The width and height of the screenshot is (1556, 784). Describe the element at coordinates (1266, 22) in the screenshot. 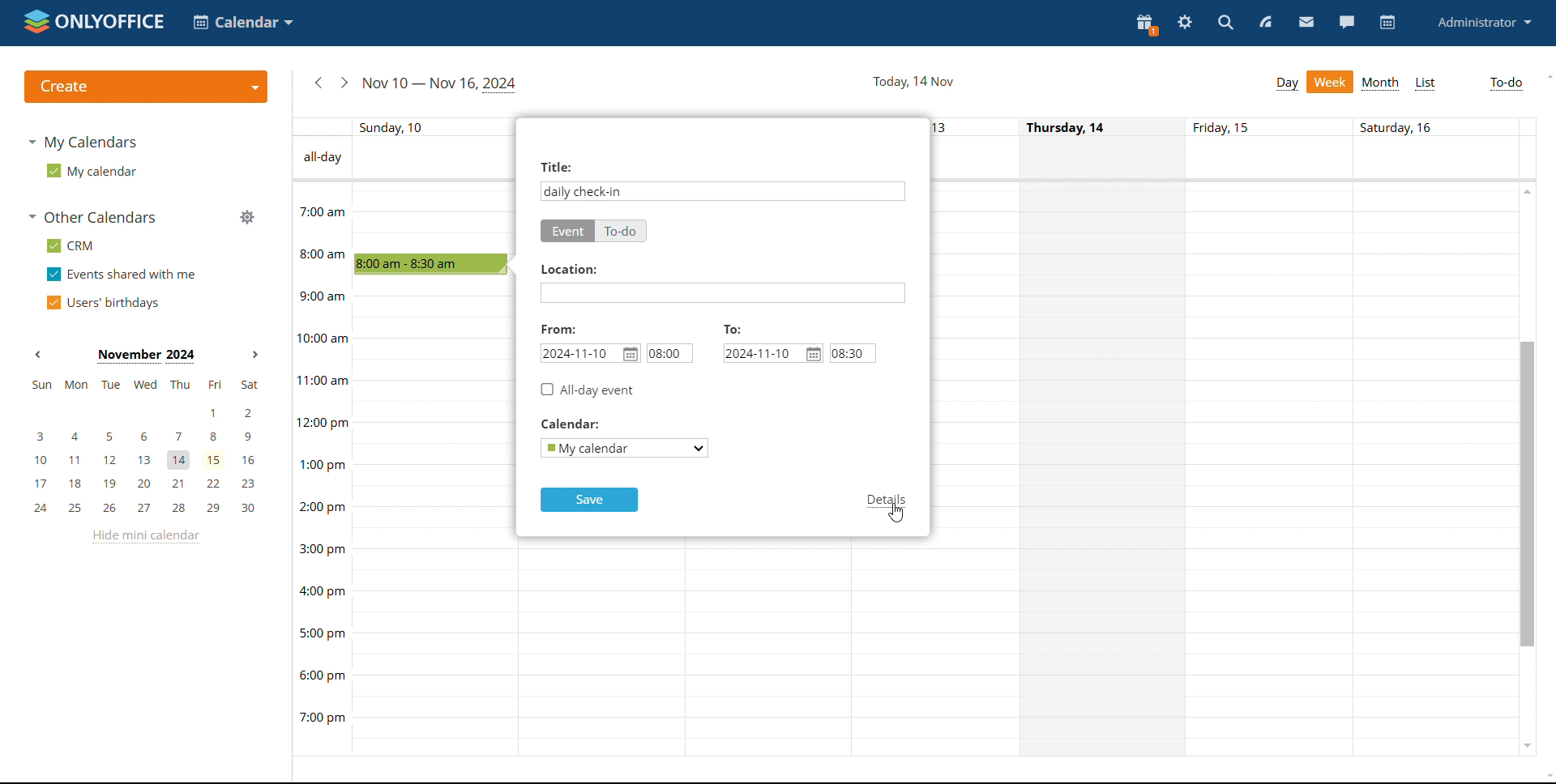

I see `feed` at that location.